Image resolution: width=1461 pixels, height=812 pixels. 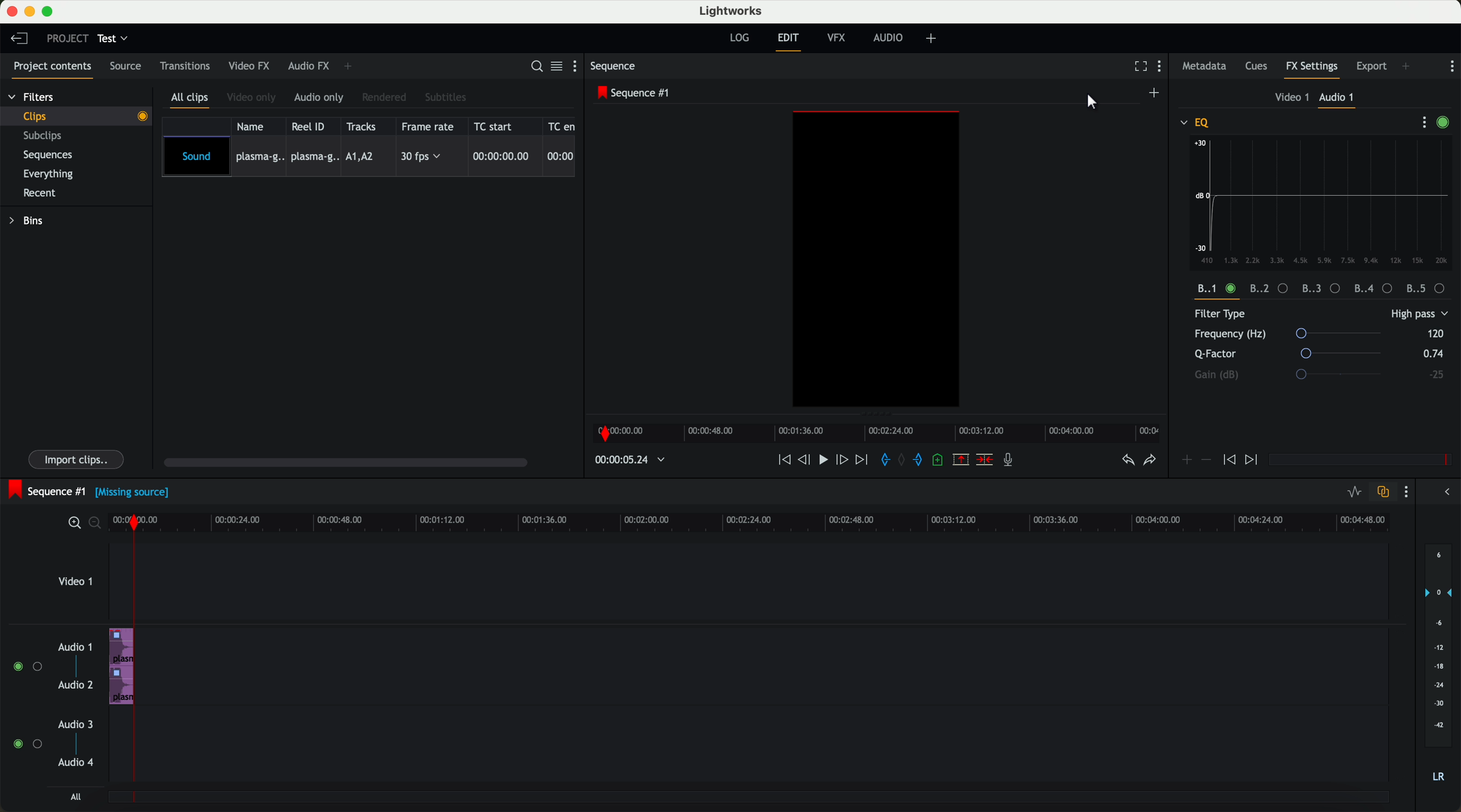 I want to click on create a new sequence, so click(x=1155, y=92).